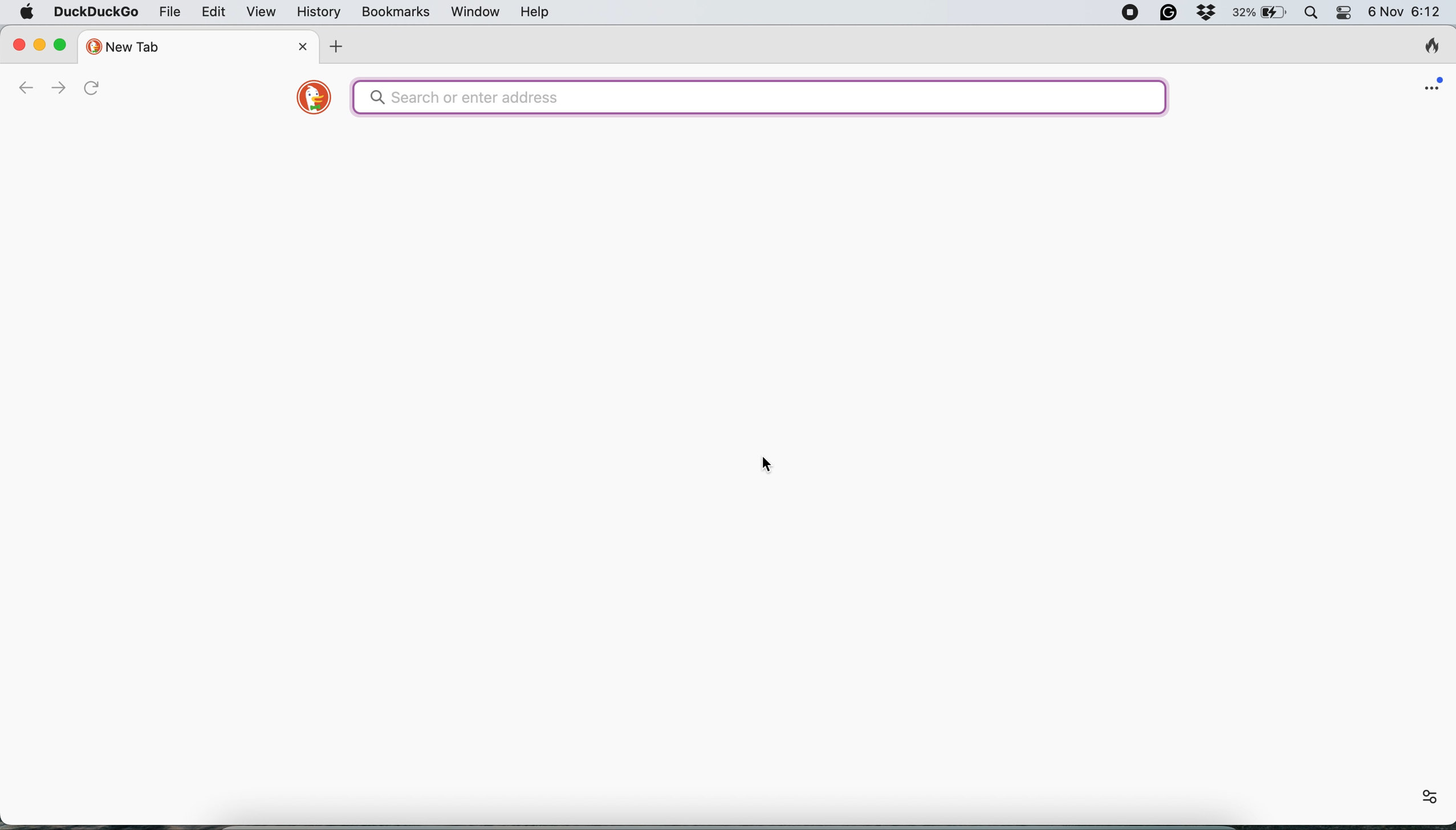  What do you see at coordinates (317, 12) in the screenshot?
I see `history` at bounding box center [317, 12].